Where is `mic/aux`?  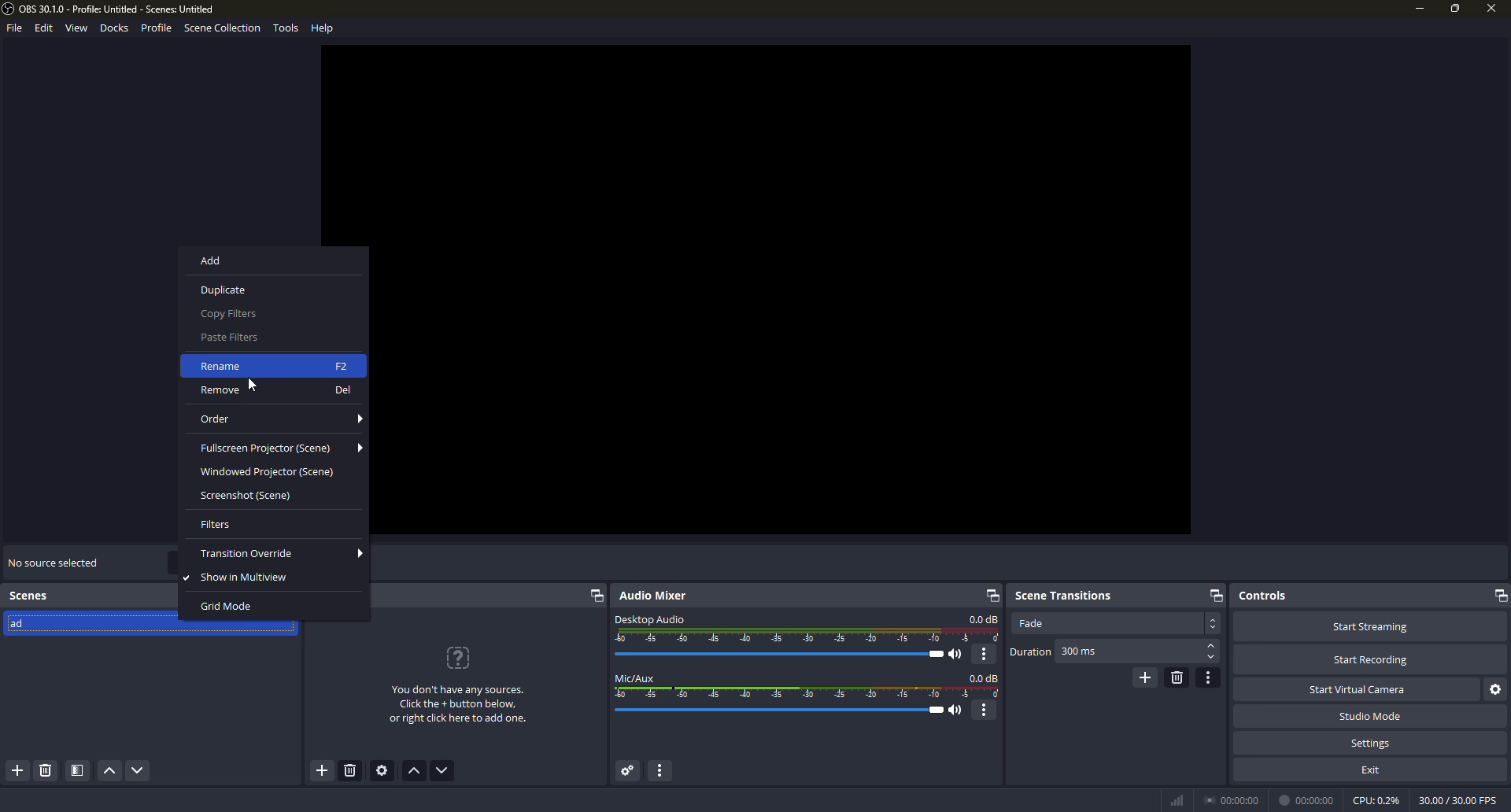
mic/aux is located at coordinates (636, 677).